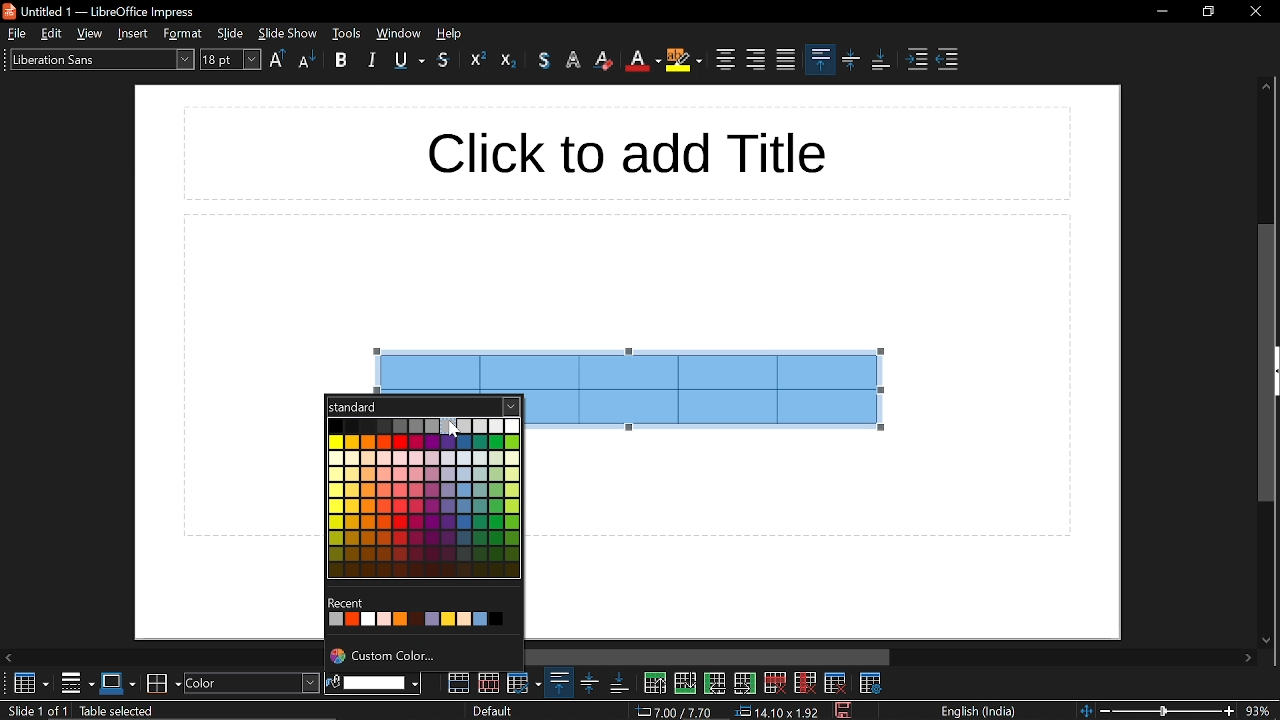 The width and height of the screenshot is (1280, 720). I want to click on color pallete, so click(426, 499).